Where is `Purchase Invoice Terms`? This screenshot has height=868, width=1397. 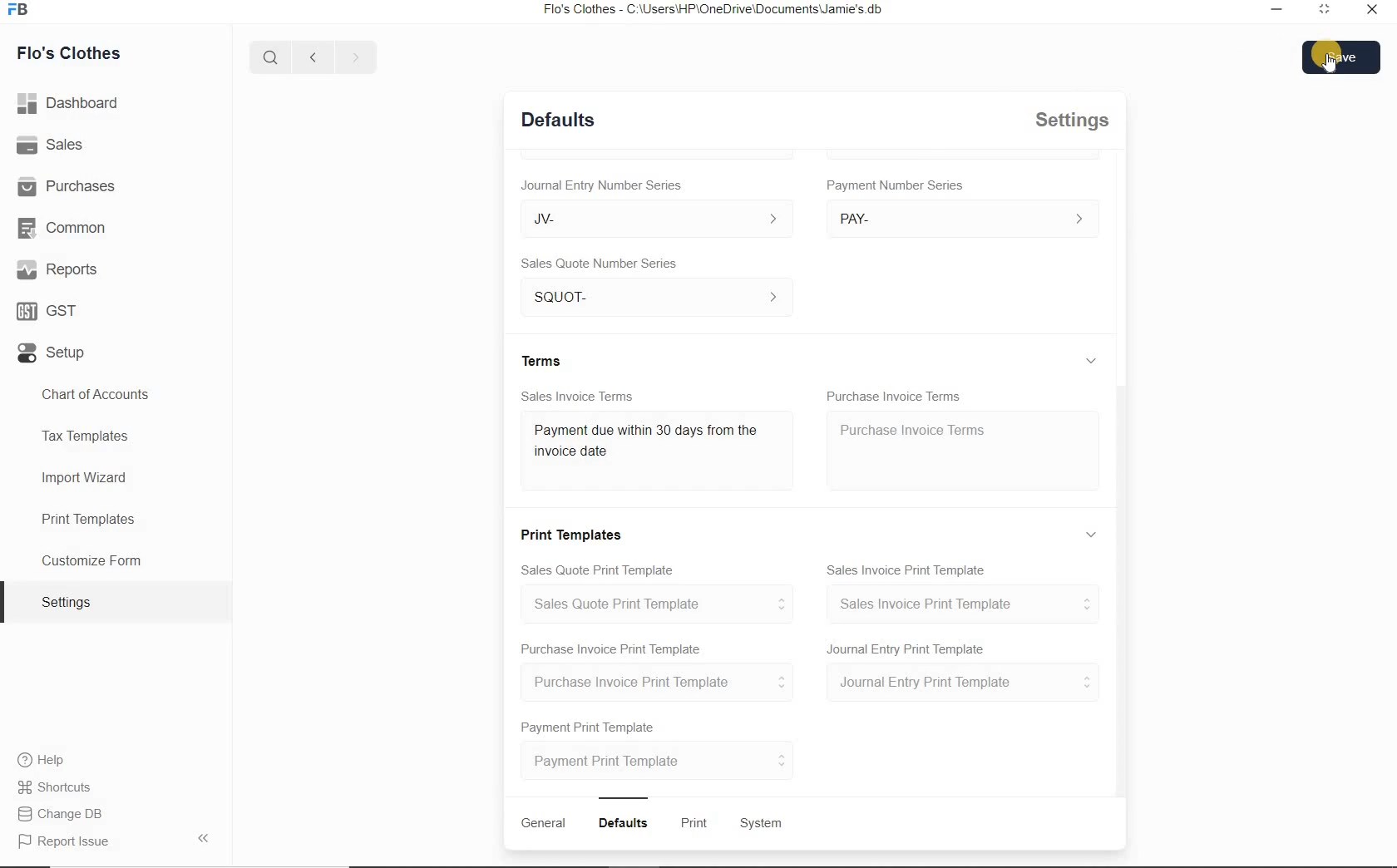
Purchase Invoice Terms is located at coordinates (964, 450).